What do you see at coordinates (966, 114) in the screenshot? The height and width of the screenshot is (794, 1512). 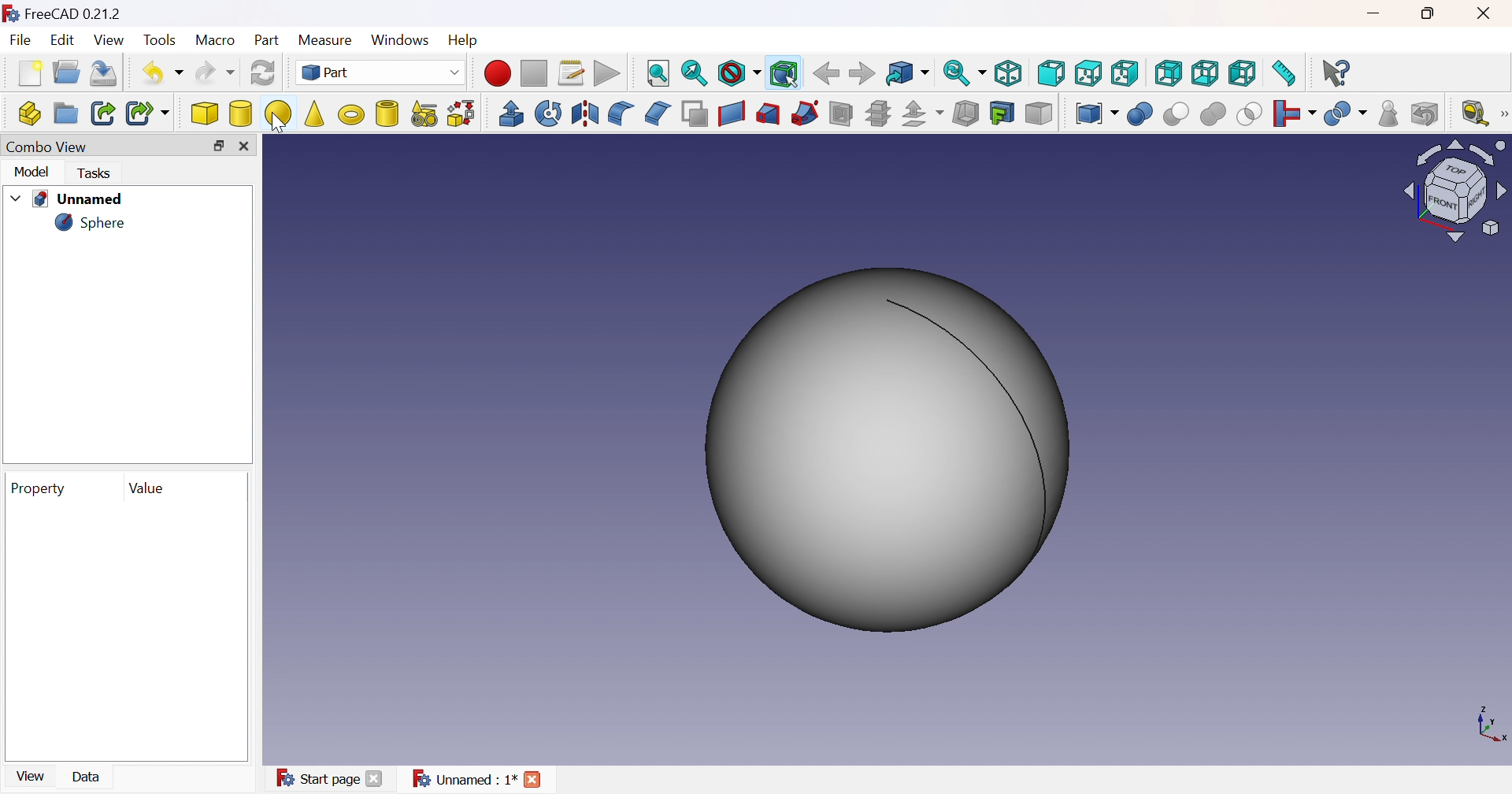 I see `Thickness` at bounding box center [966, 114].